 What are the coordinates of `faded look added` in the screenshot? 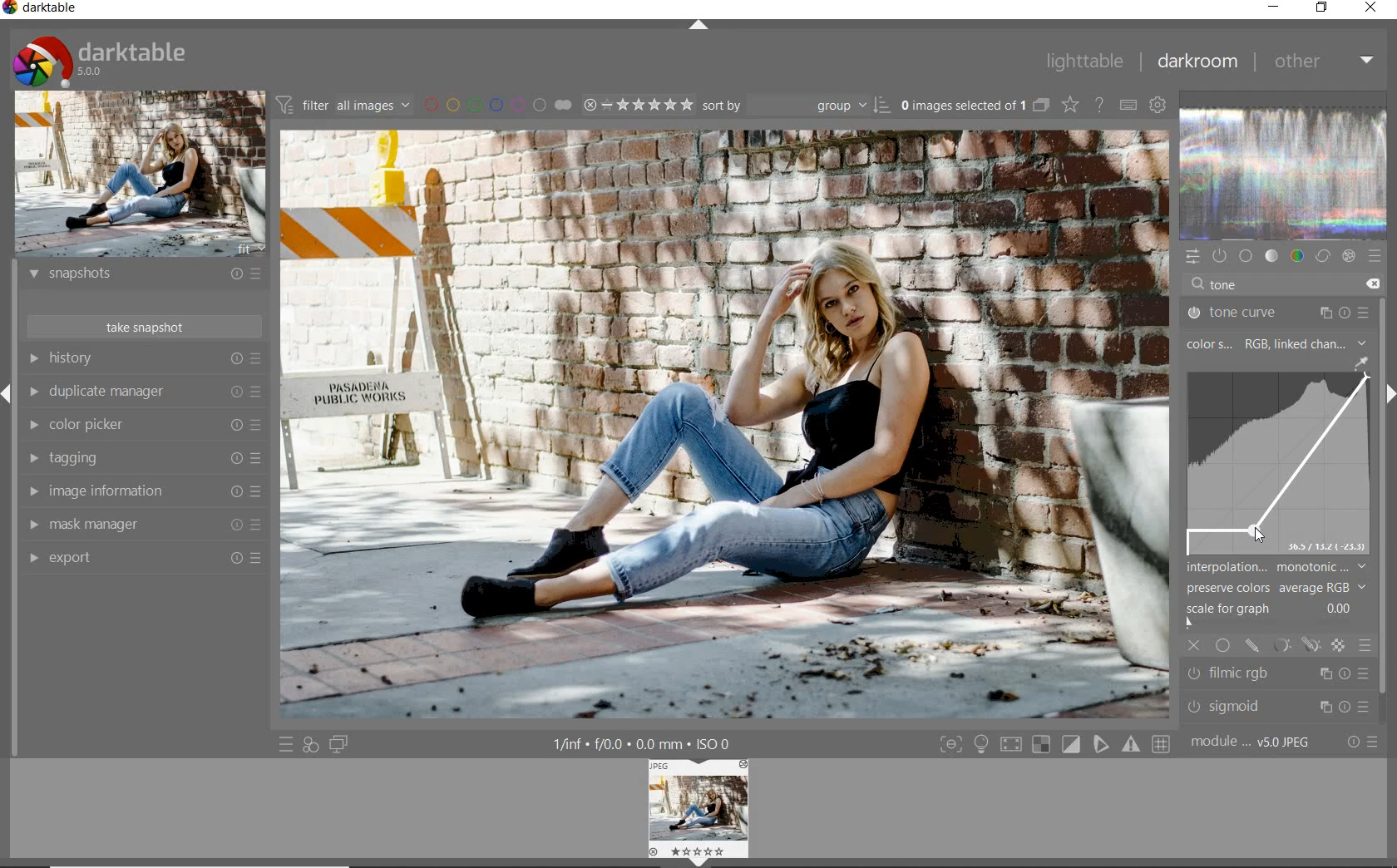 It's located at (725, 424).